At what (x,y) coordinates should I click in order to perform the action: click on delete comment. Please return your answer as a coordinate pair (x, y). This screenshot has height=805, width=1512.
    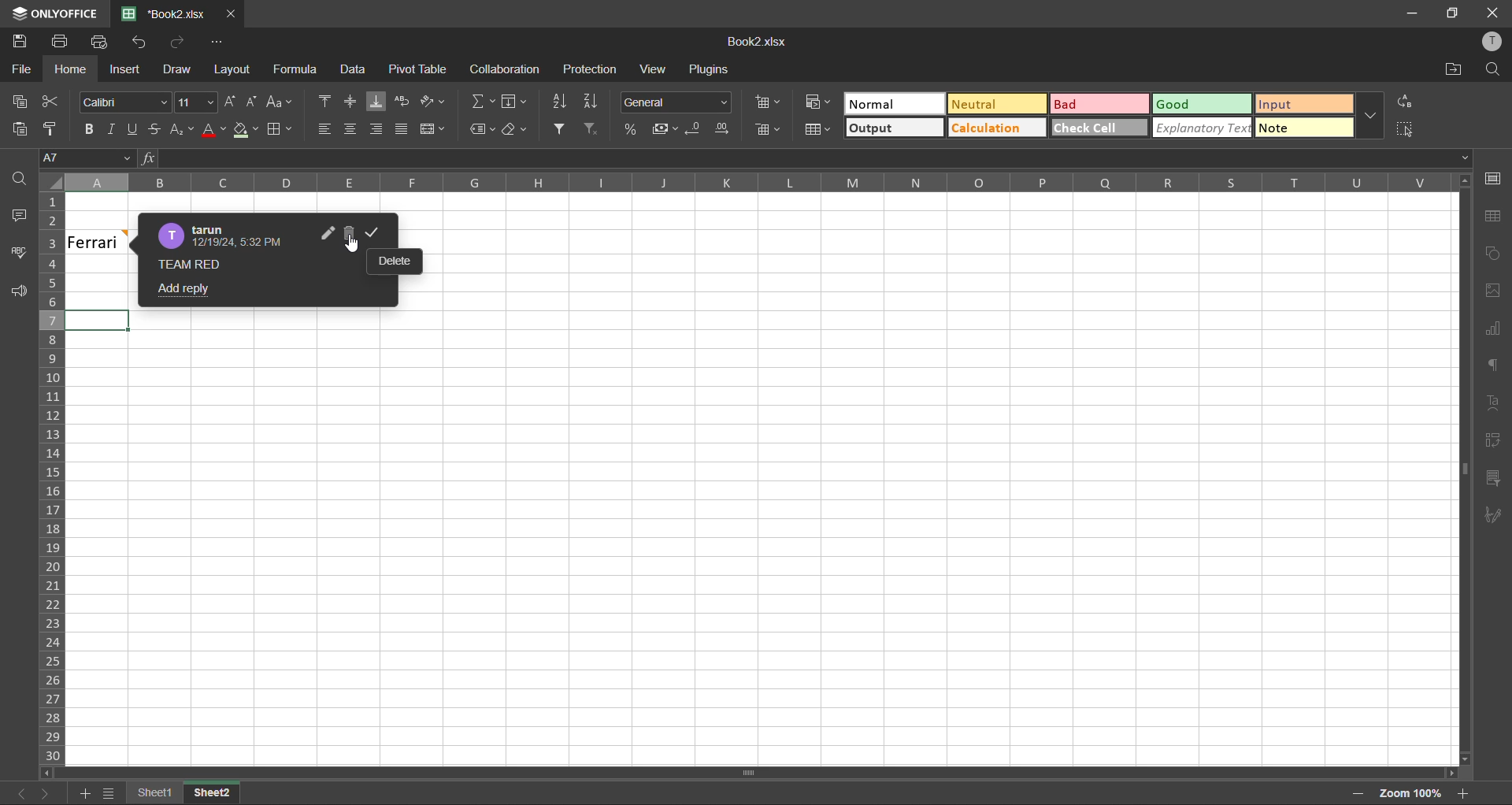
    Looking at the image, I should click on (354, 233).